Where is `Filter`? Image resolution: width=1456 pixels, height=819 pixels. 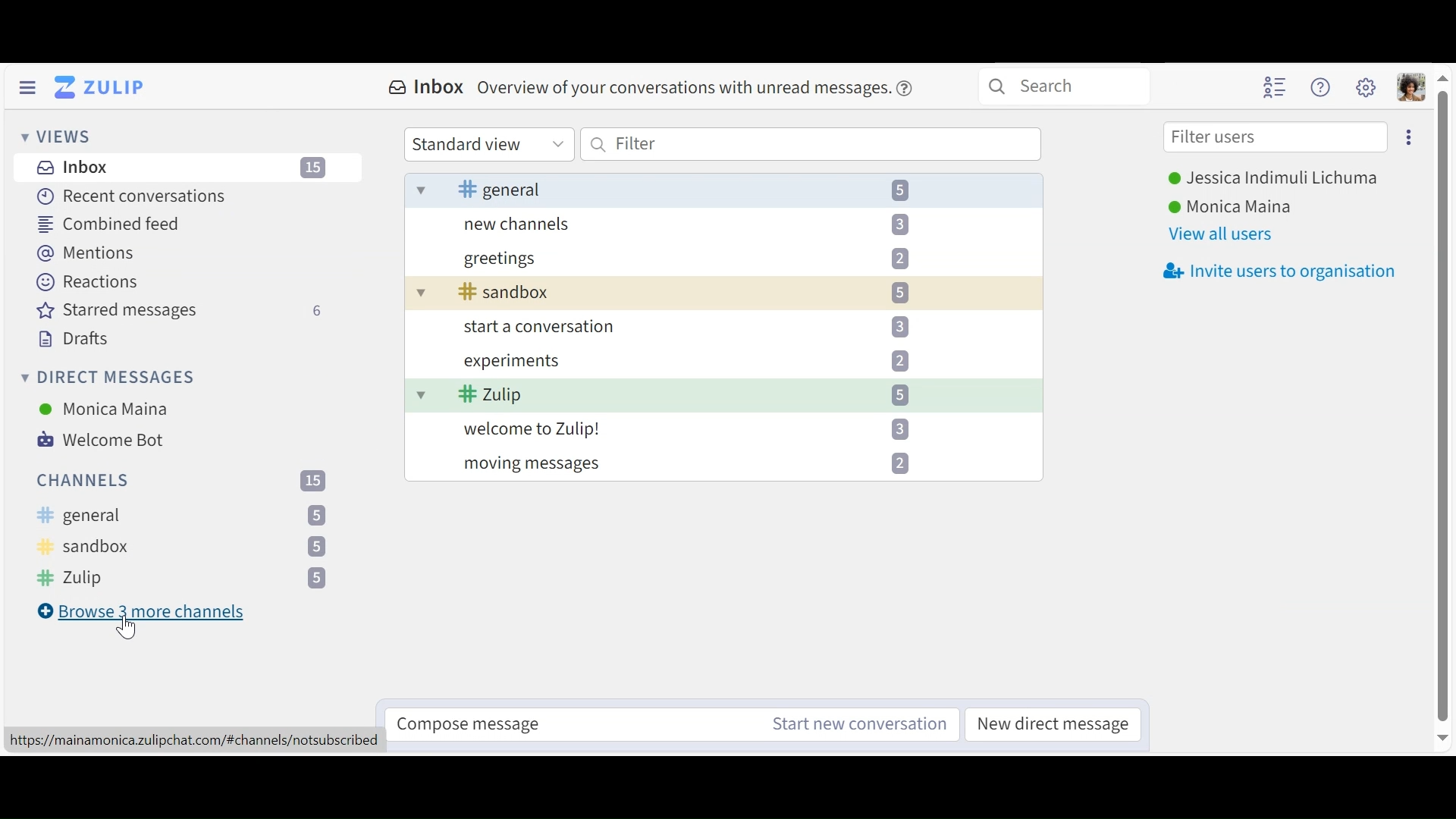
Filter is located at coordinates (811, 144).